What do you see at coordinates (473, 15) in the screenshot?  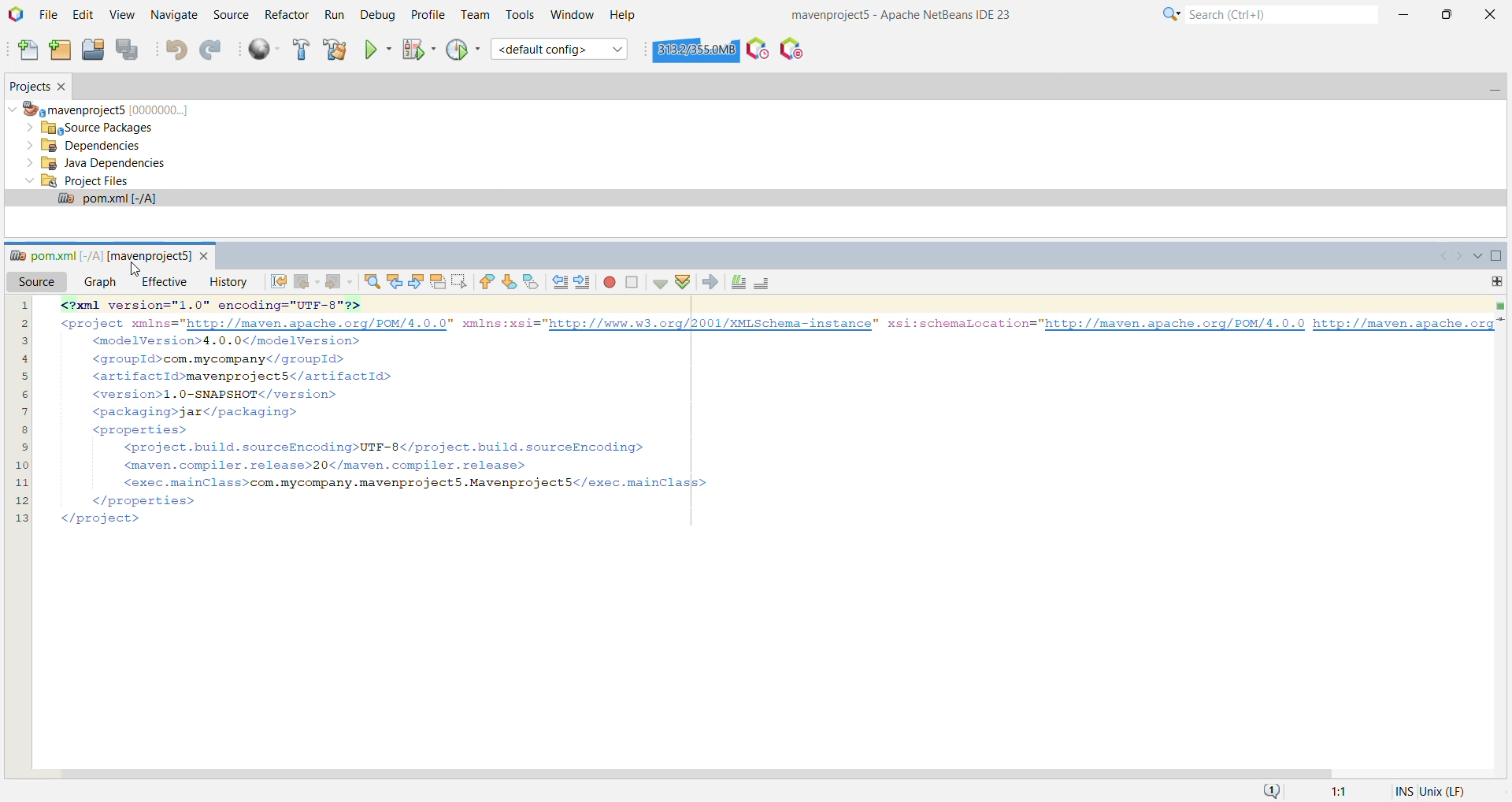 I see `Team` at bounding box center [473, 15].